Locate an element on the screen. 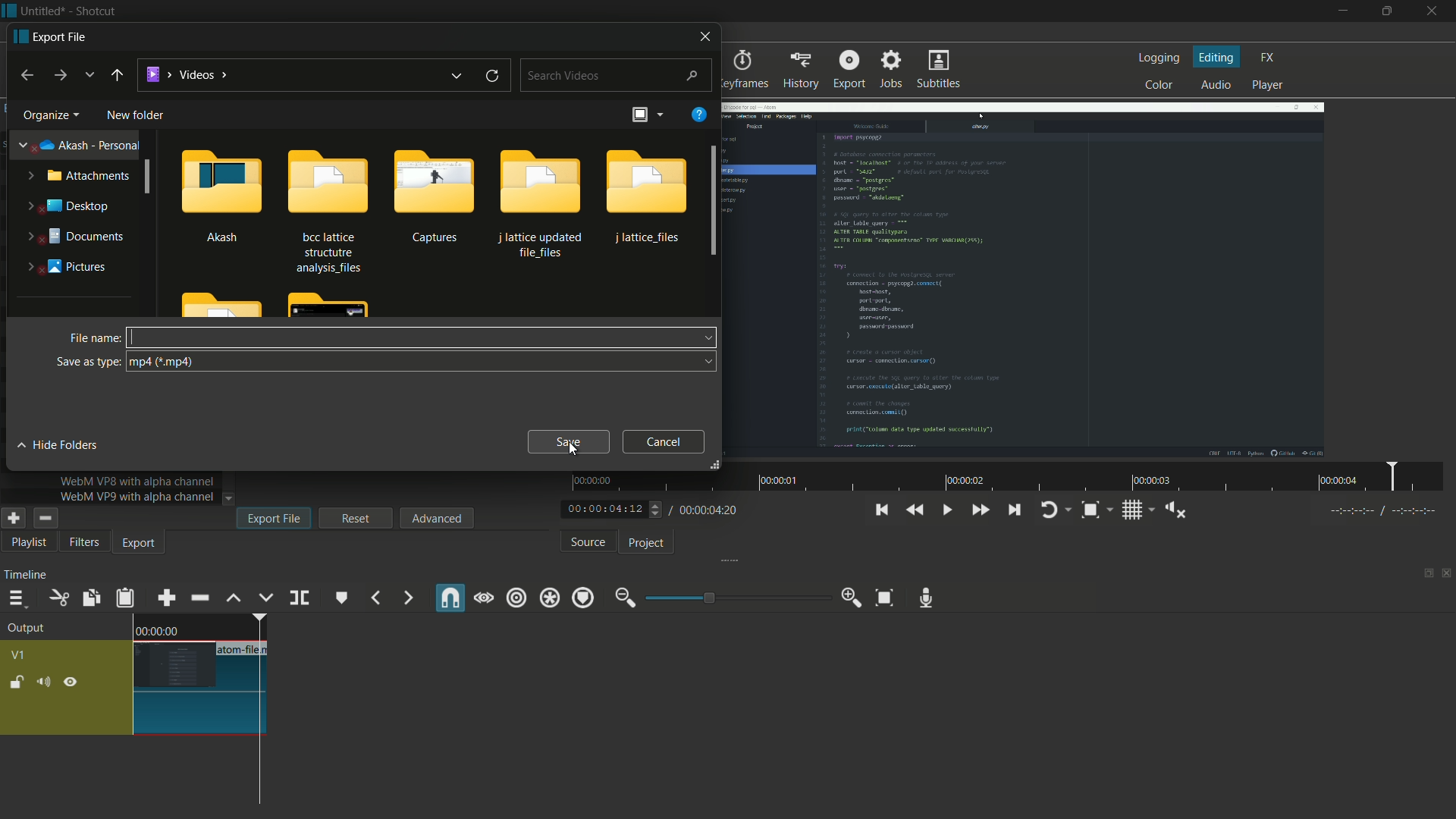 This screenshot has width=1456, height=819. adjustment bar is located at coordinates (736, 598).